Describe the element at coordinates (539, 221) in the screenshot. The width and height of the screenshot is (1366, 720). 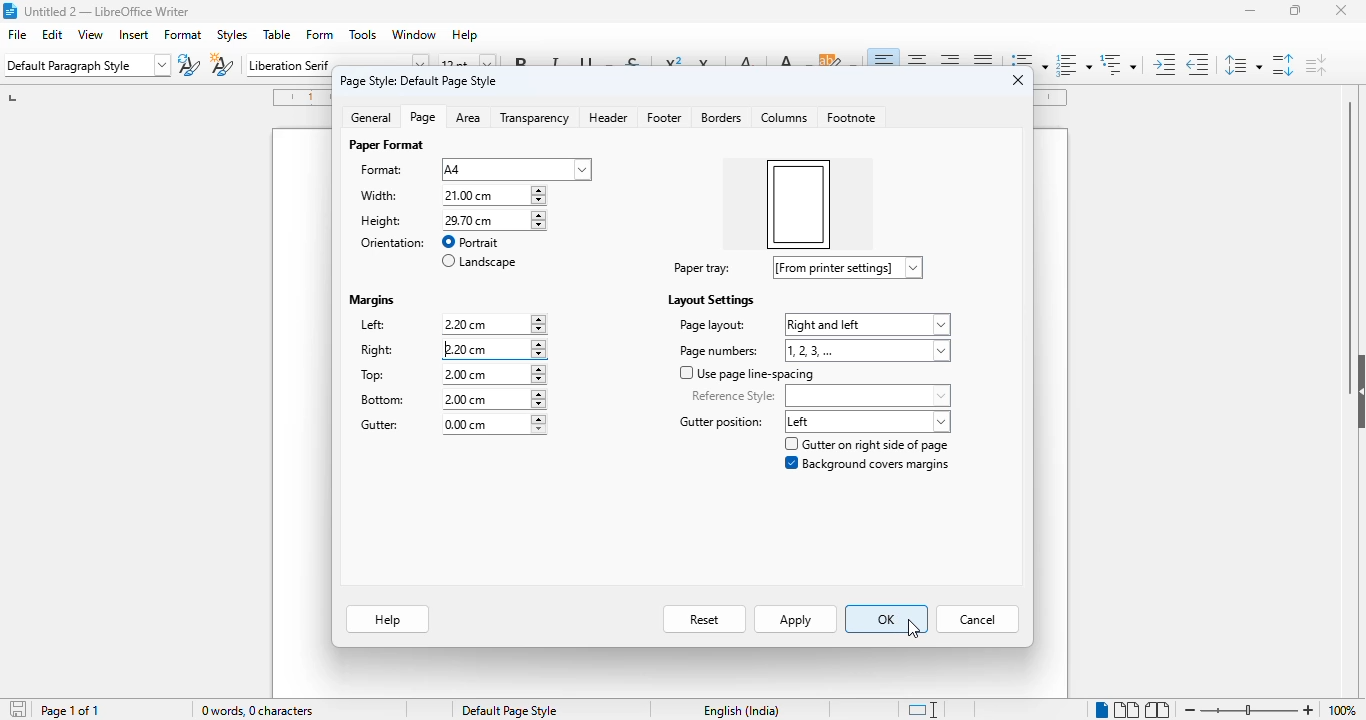
I see `increment or decrement width` at that location.